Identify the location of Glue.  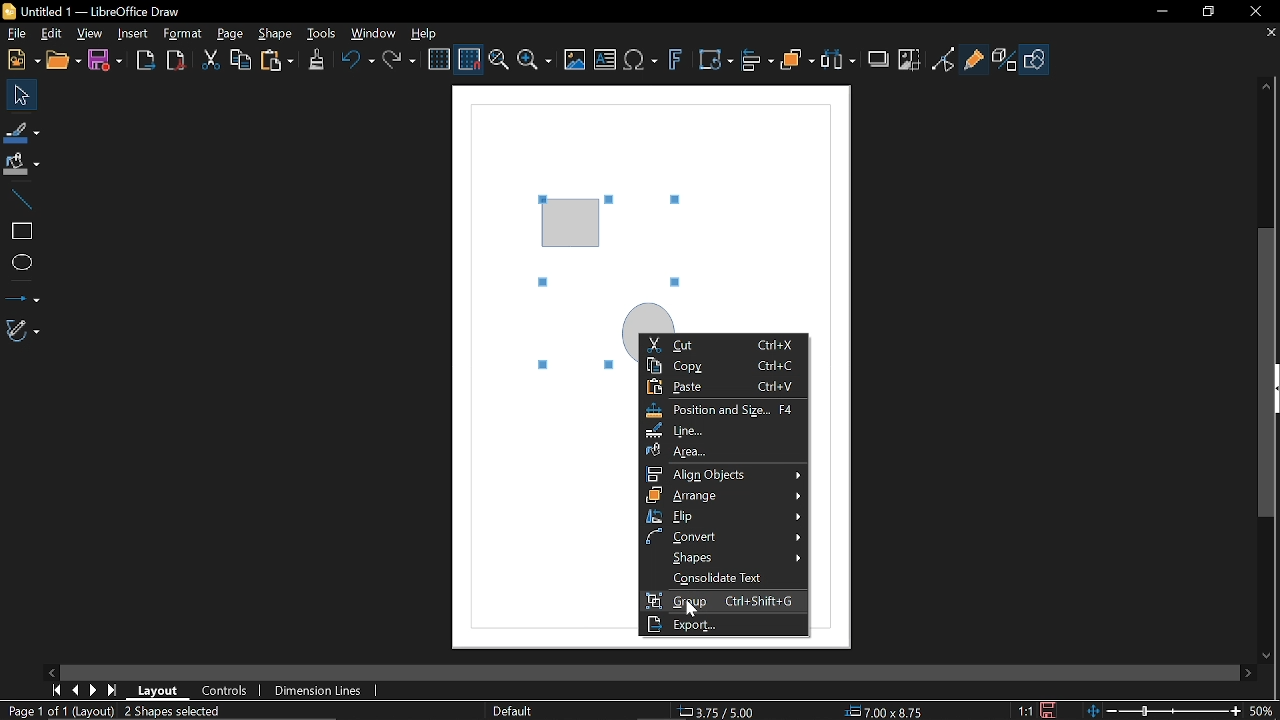
(974, 60).